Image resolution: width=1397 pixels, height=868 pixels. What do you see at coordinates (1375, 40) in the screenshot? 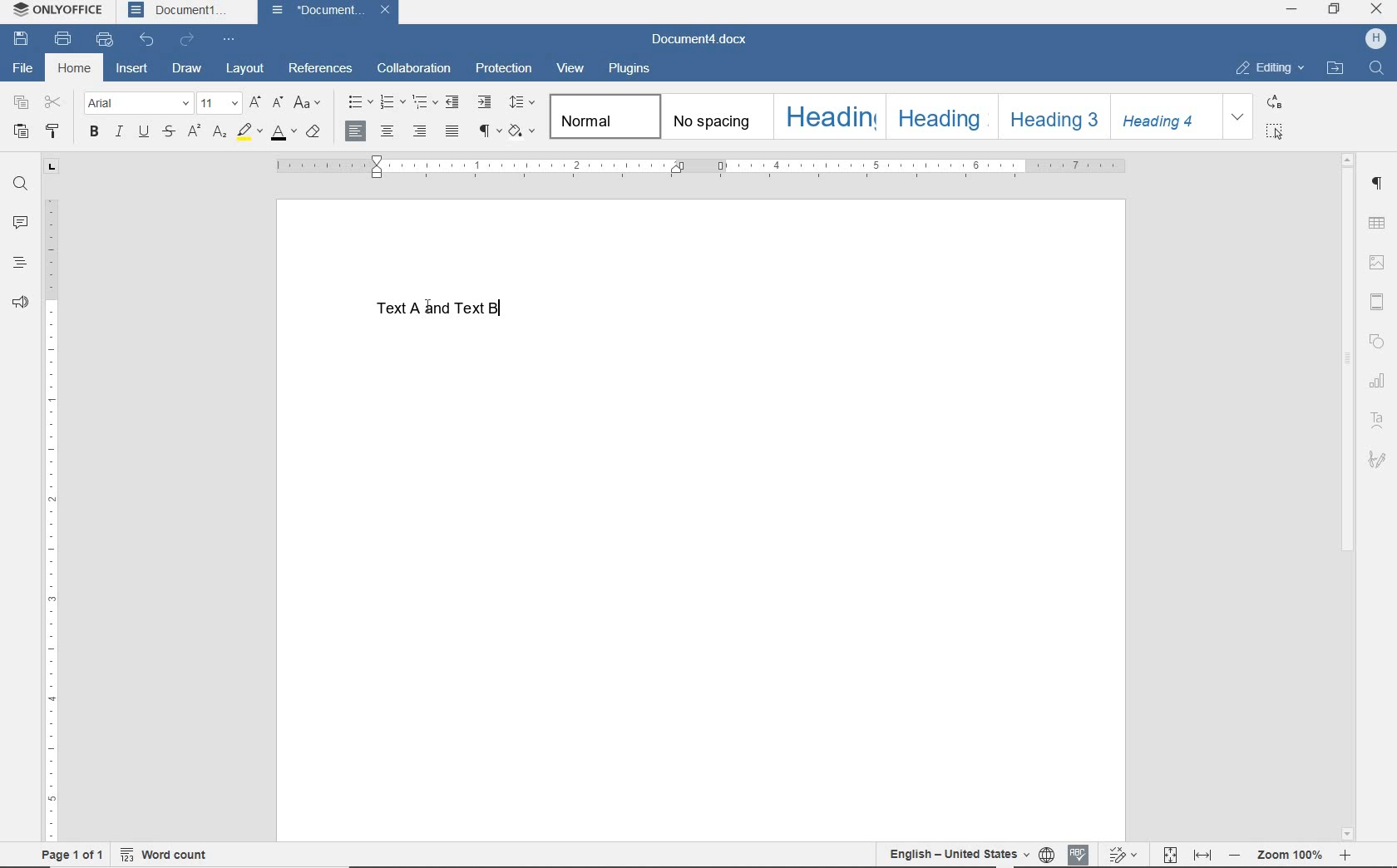
I see `HP` at bounding box center [1375, 40].